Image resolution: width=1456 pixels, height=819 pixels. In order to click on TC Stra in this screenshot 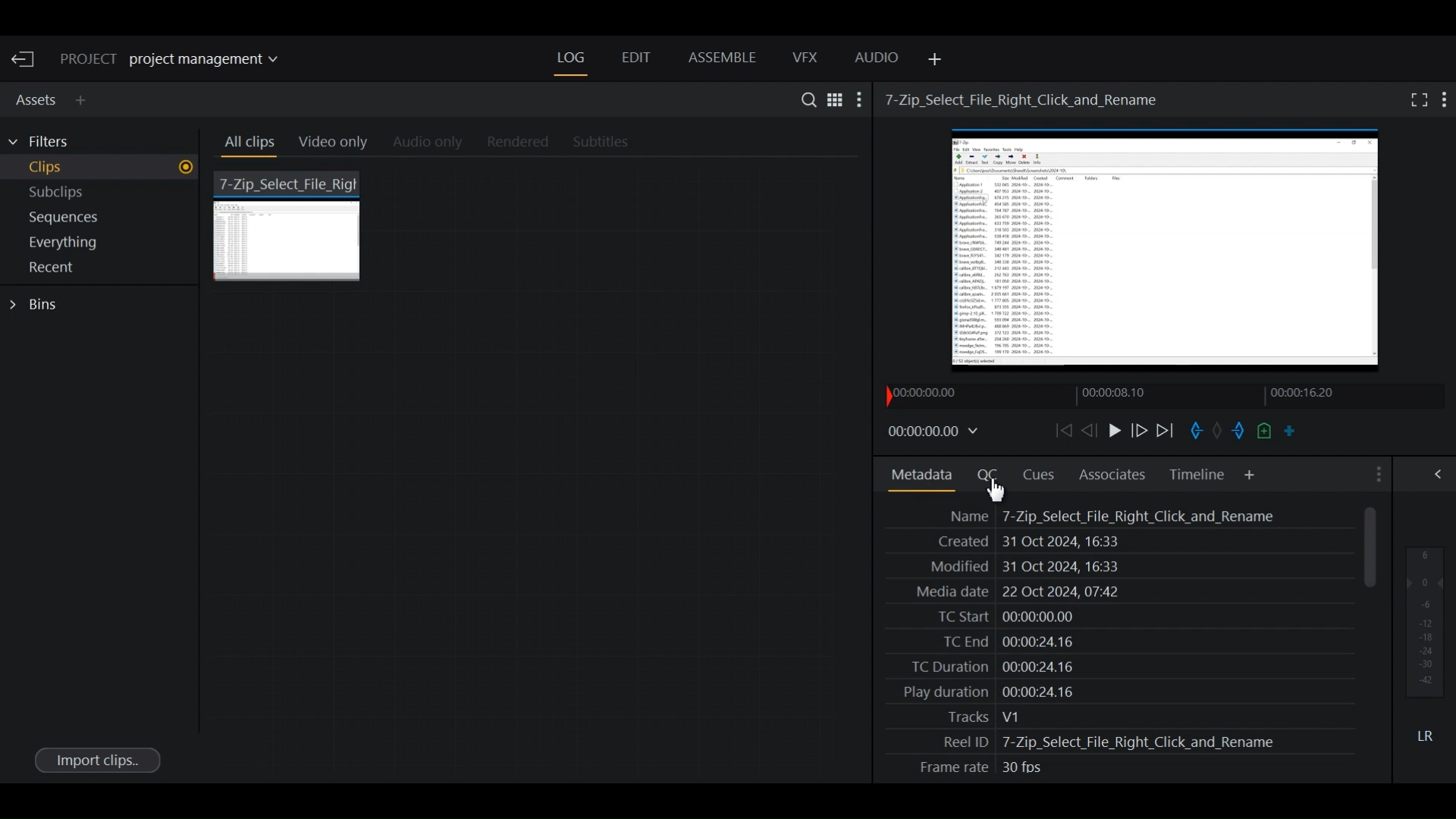, I will do `click(1100, 615)`.